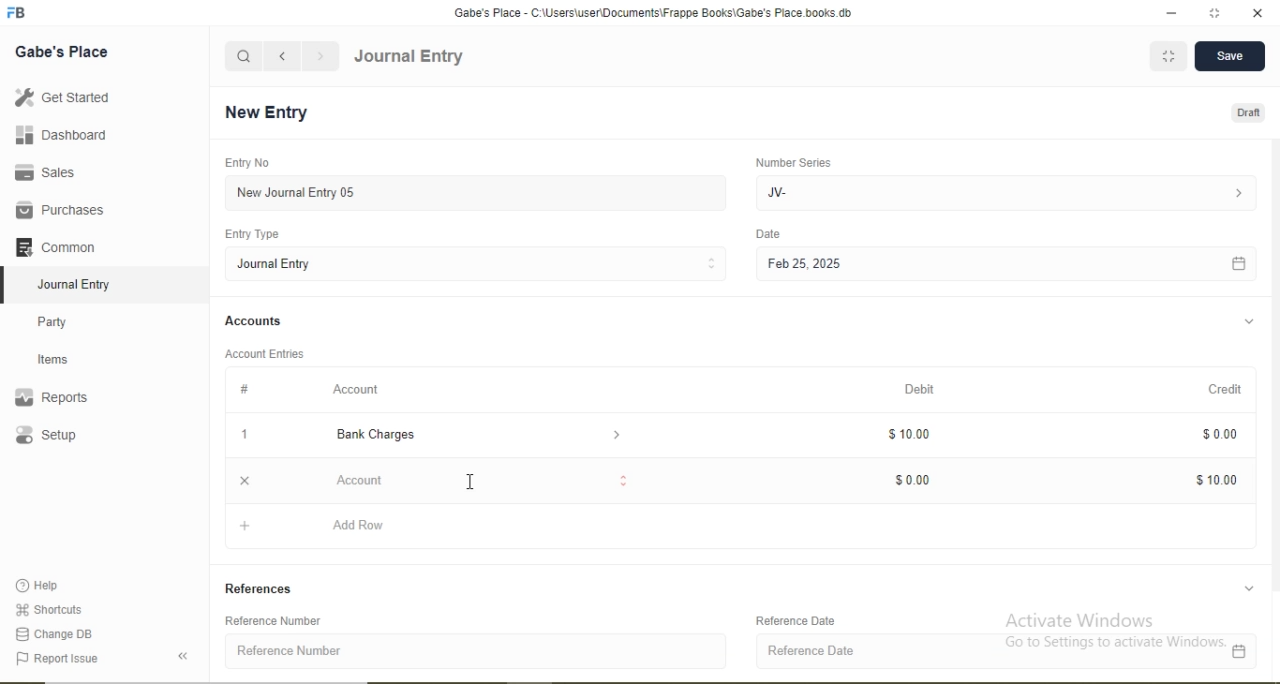  What do you see at coordinates (254, 321) in the screenshot?
I see `Accounts.` at bounding box center [254, 321].